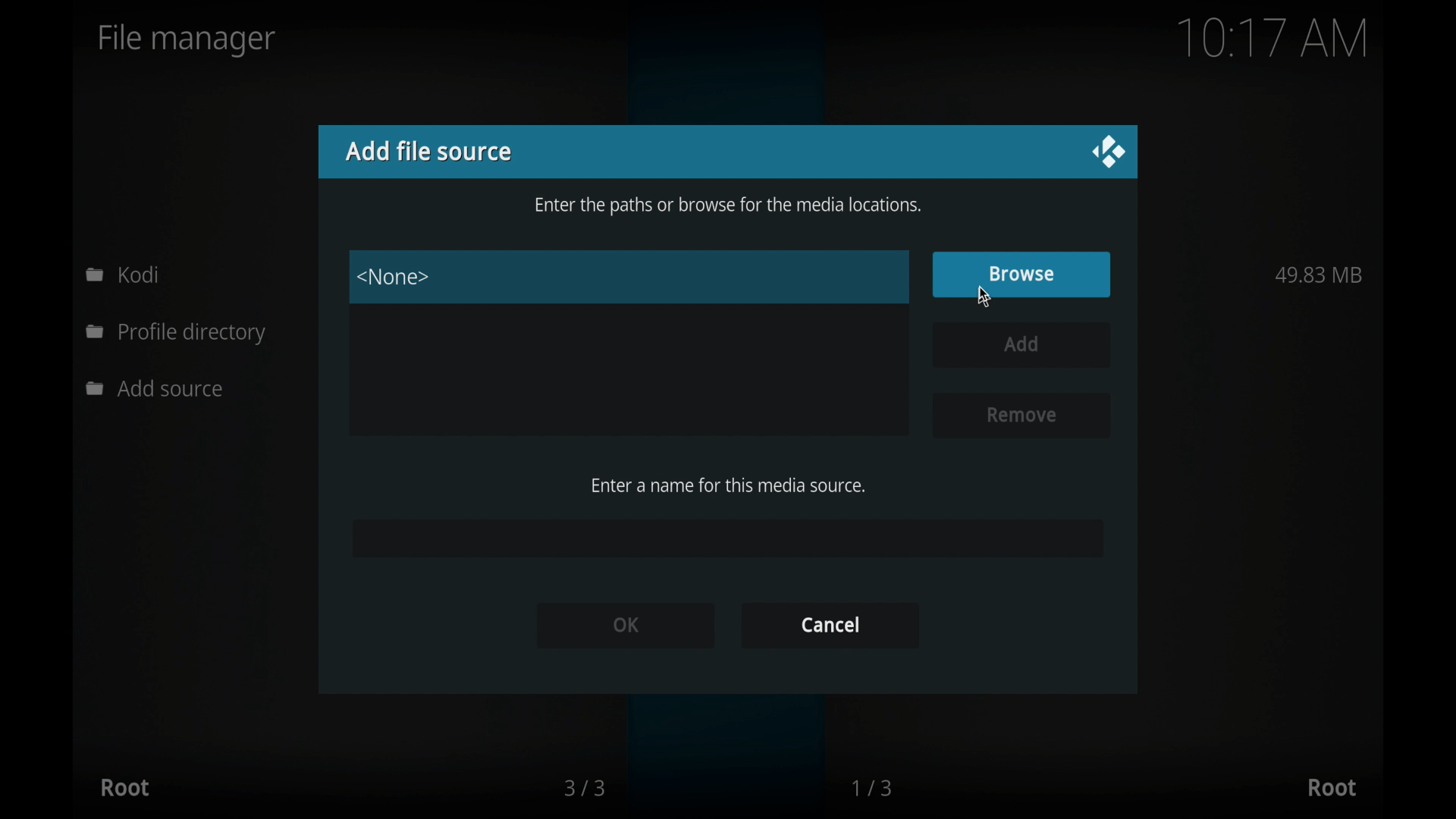 The width and height of the screenshot is (1456, 819). Describe the element at coordinates (393, 278) in the screenshot. I see `none` at that location.